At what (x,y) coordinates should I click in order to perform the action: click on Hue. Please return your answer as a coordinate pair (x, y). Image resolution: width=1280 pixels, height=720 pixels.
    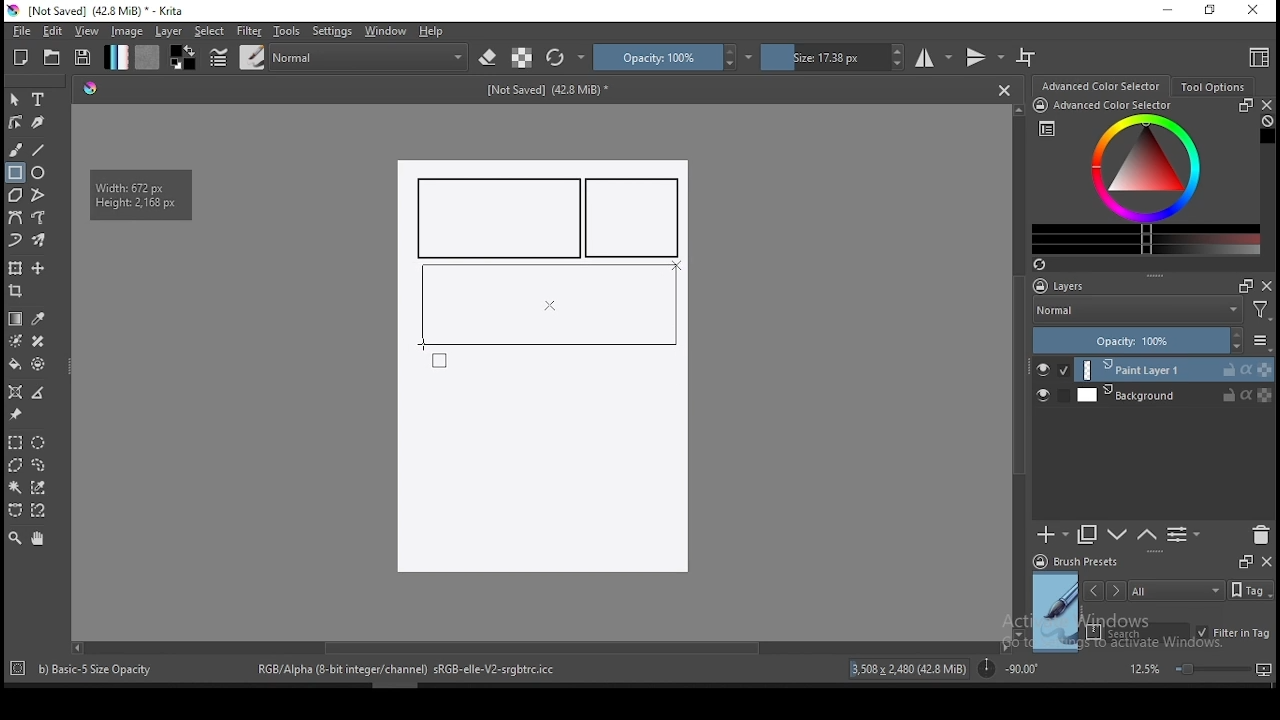
    Looking at the image, I should click on (90, 88).